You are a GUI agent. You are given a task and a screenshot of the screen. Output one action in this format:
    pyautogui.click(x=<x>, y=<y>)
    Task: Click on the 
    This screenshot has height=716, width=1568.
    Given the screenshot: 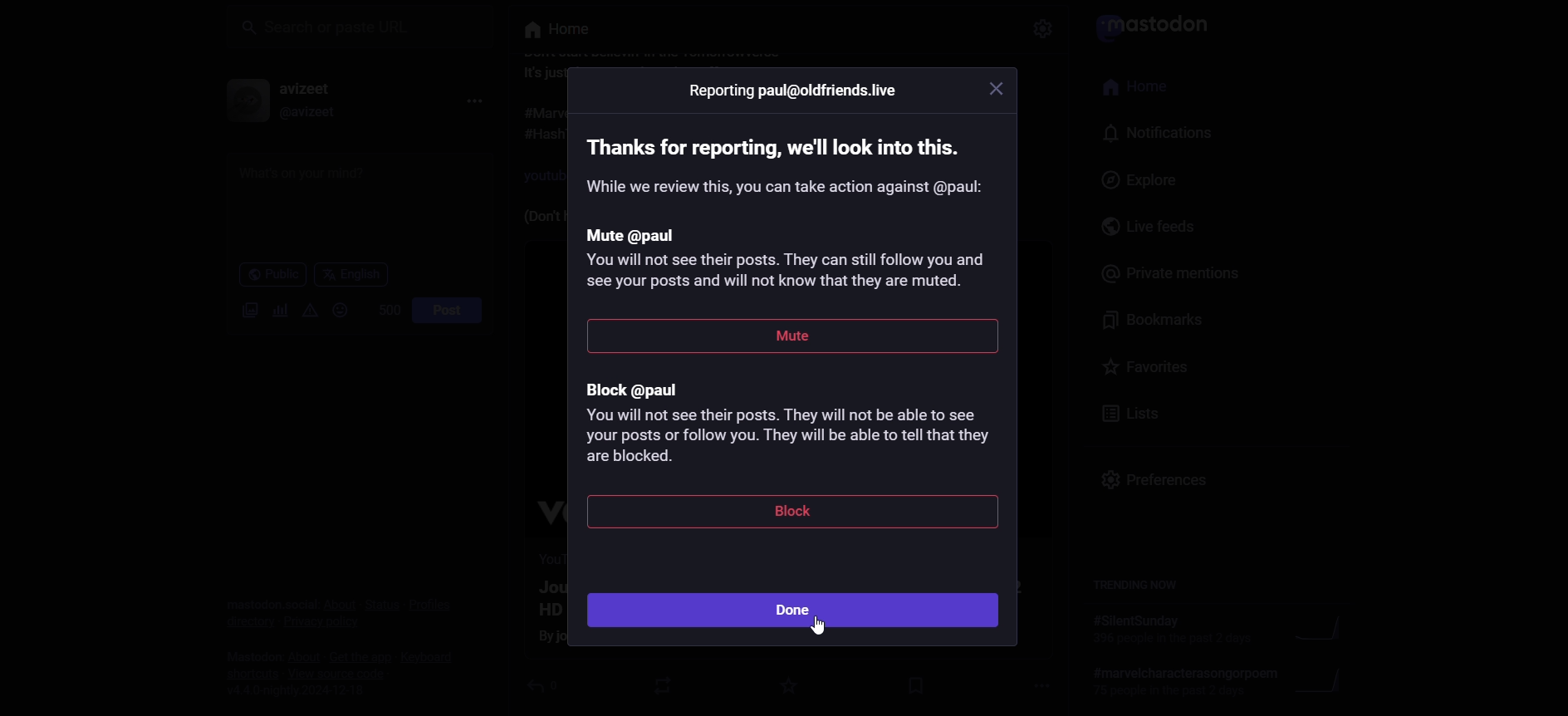 What is the action you would take?
    pyautogui.click(x=794, y=339)
    